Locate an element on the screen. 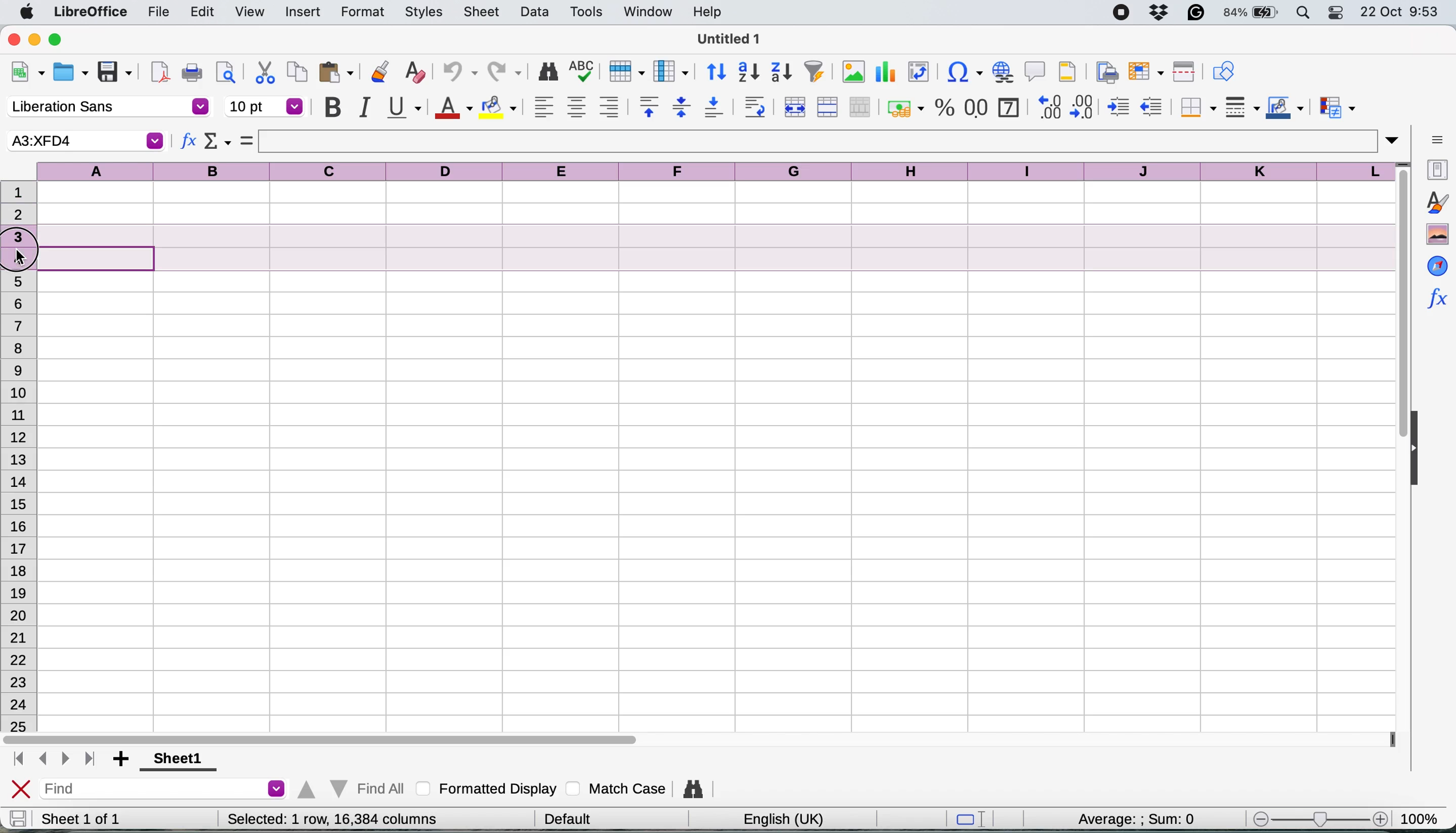 Image resolution: width=1456 pixels, height=833 pixels. clone formatting is located at coordinates (378, 73).